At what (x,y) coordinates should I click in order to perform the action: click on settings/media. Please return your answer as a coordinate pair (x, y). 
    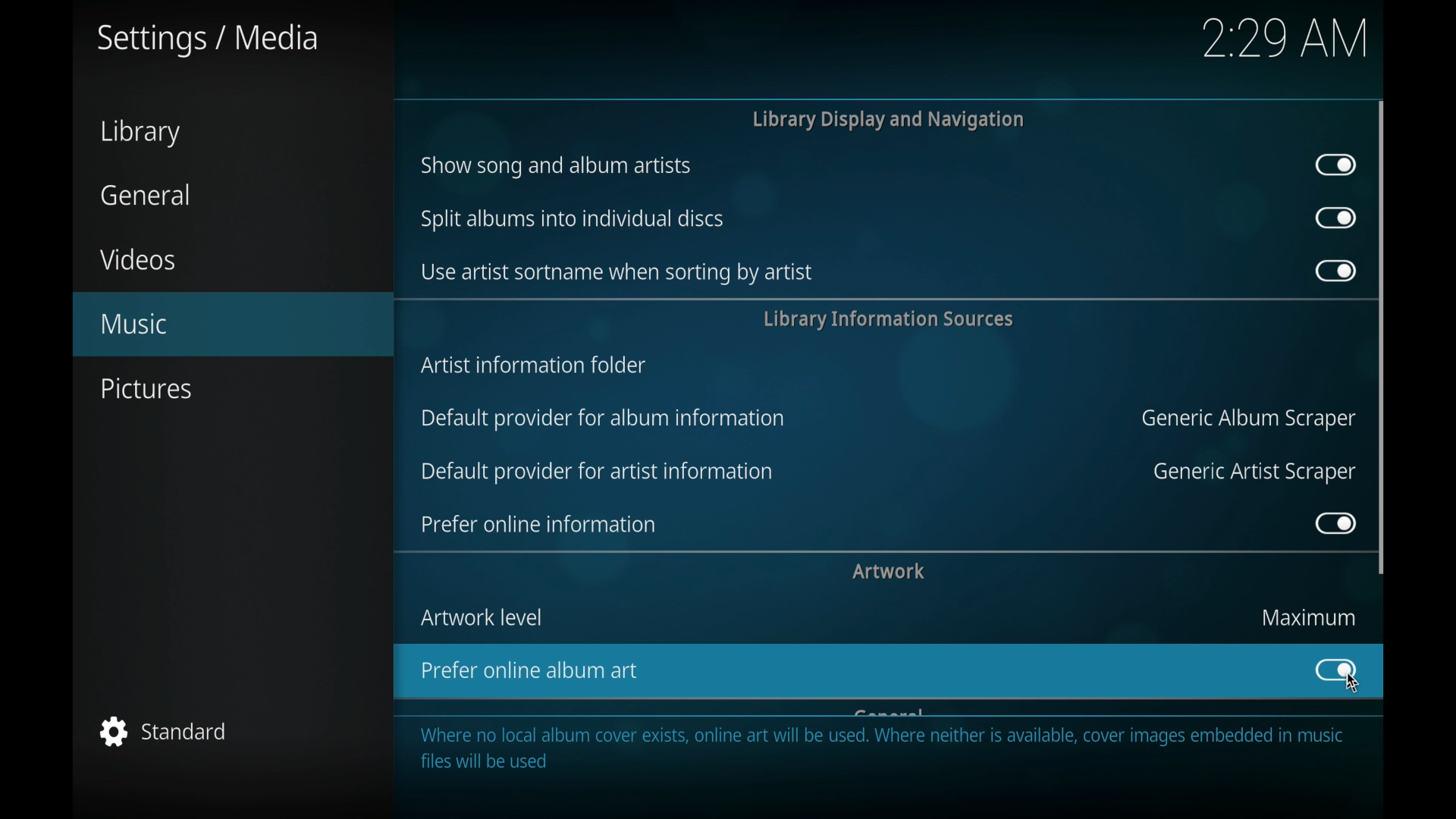
    Looking at the image, I should click on (206, 39).